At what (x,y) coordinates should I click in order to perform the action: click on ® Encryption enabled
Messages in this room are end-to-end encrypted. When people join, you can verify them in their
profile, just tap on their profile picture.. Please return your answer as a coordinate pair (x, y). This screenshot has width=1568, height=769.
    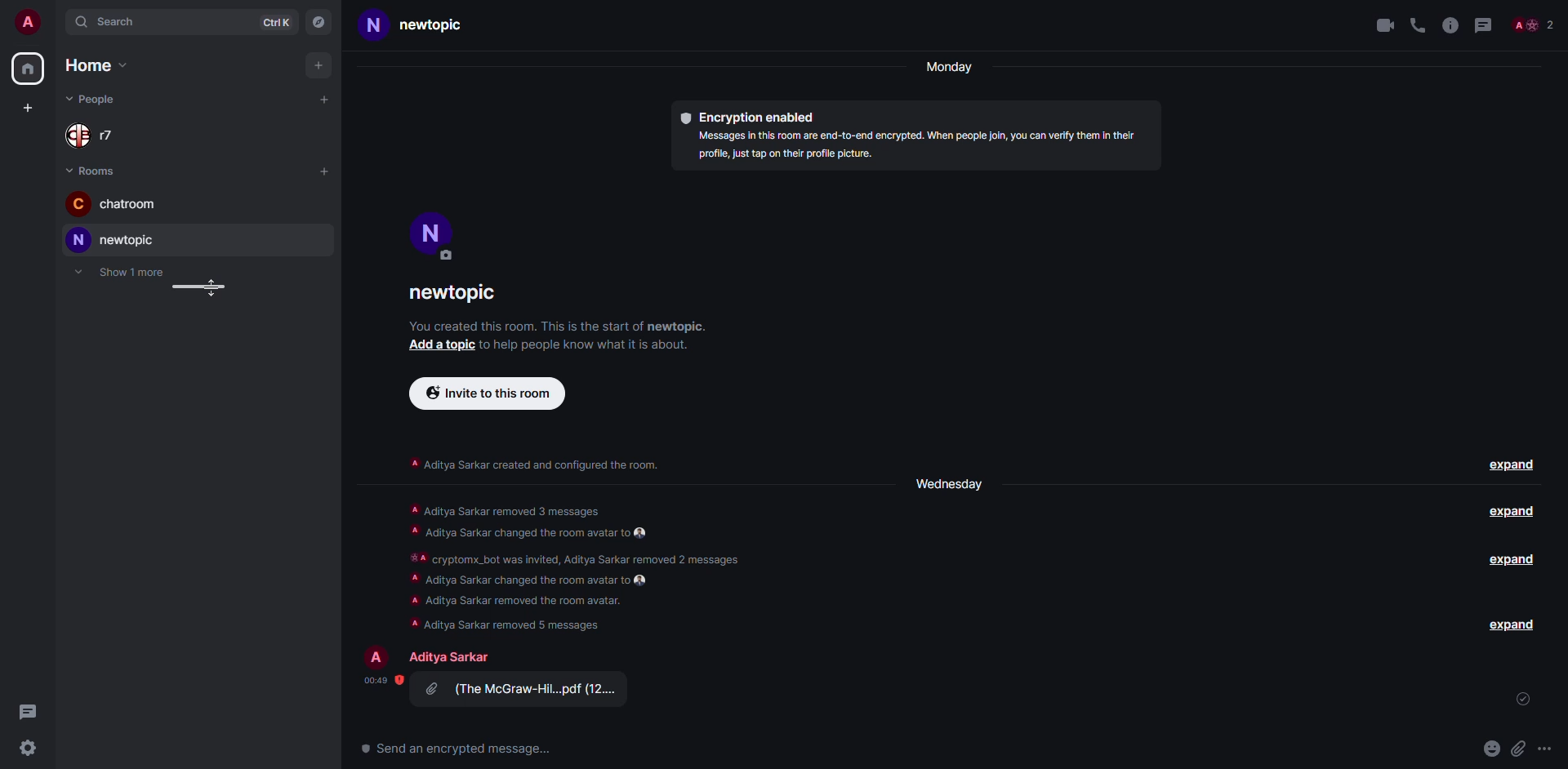
    Looking at the image, I should click on (911, 138).